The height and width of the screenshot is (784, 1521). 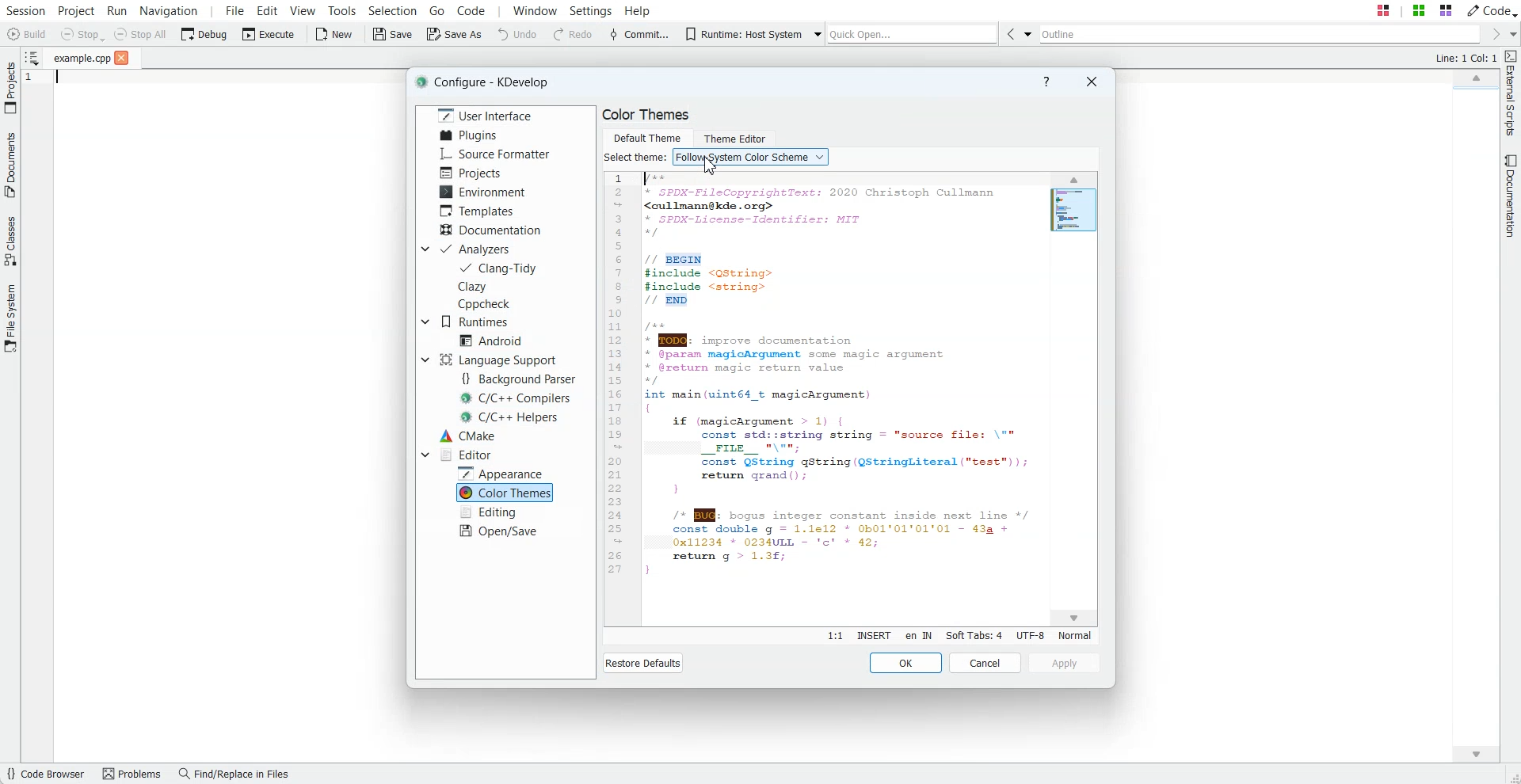 What do you see at coordinates (467, 436) in the screenshot?
I see `CMake` at bounding box center [467, 436].